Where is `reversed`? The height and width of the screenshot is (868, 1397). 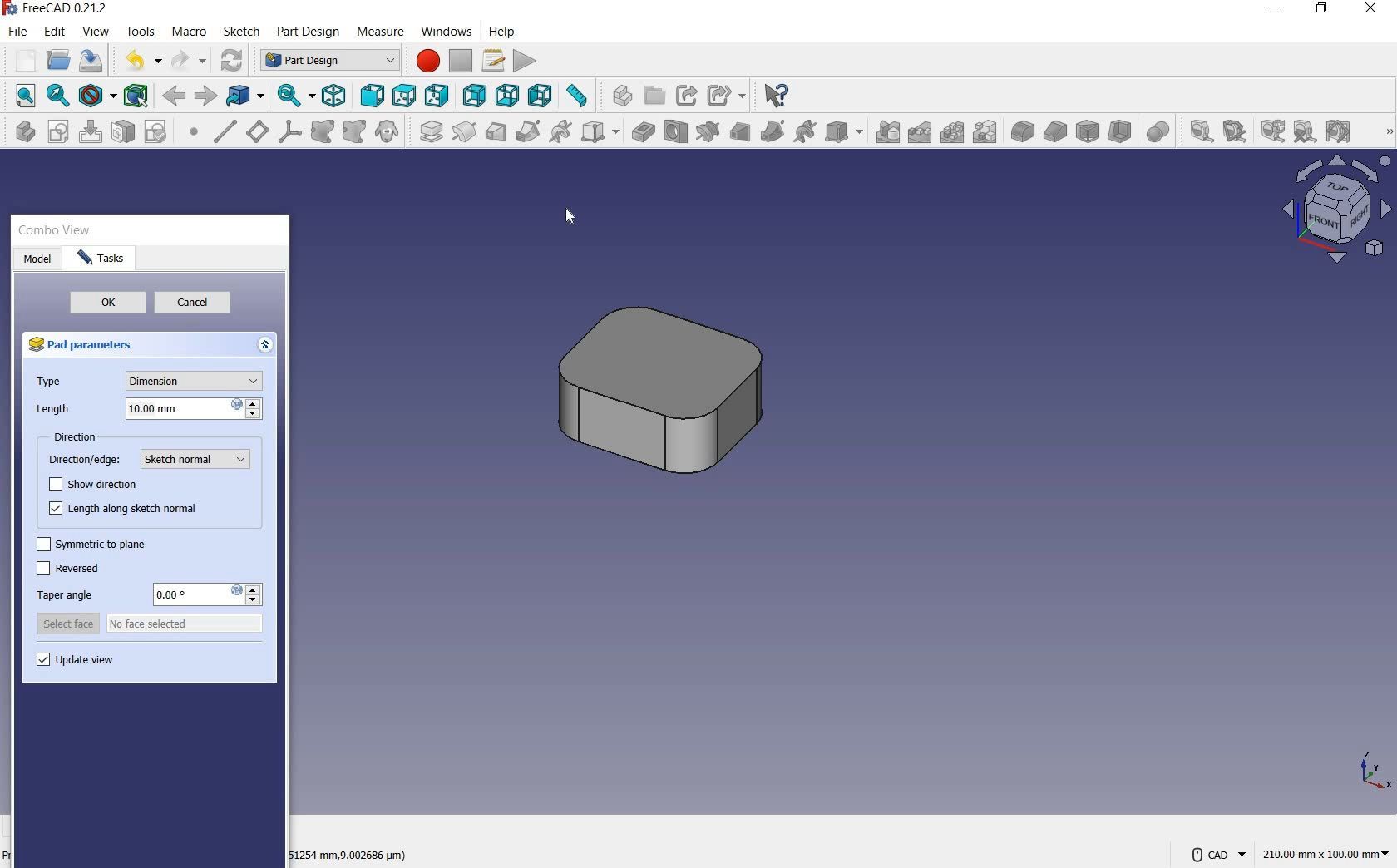
reversed is located at coordinates (67, 569).